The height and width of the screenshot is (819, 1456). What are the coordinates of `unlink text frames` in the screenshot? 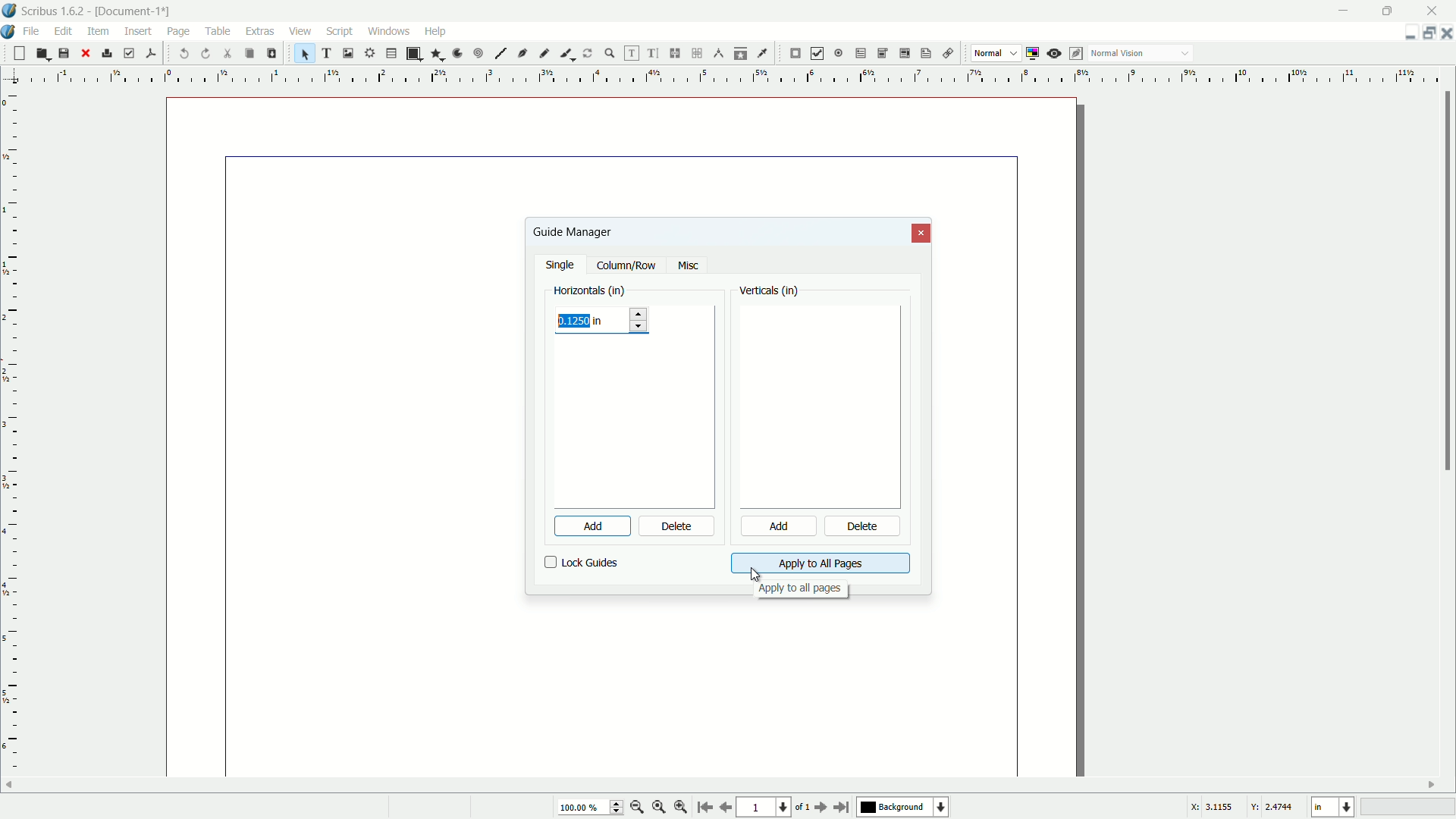 It's located at (699, 53).